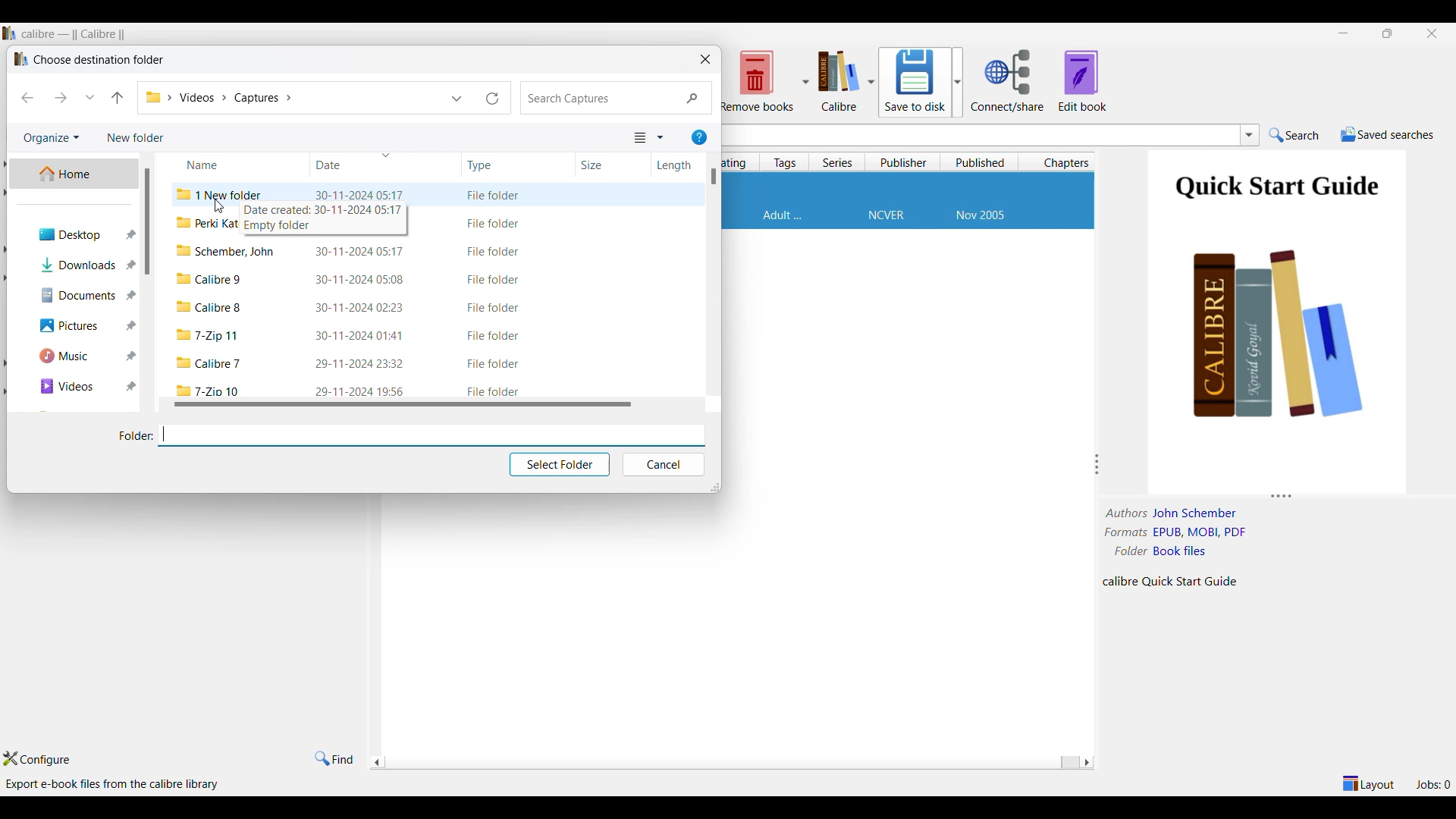 This screenshot has height=819, width=1456. What do you see at coordinates (78, 264) in the screenshot?
I see `Downloads` at bounding box center [78, 264].